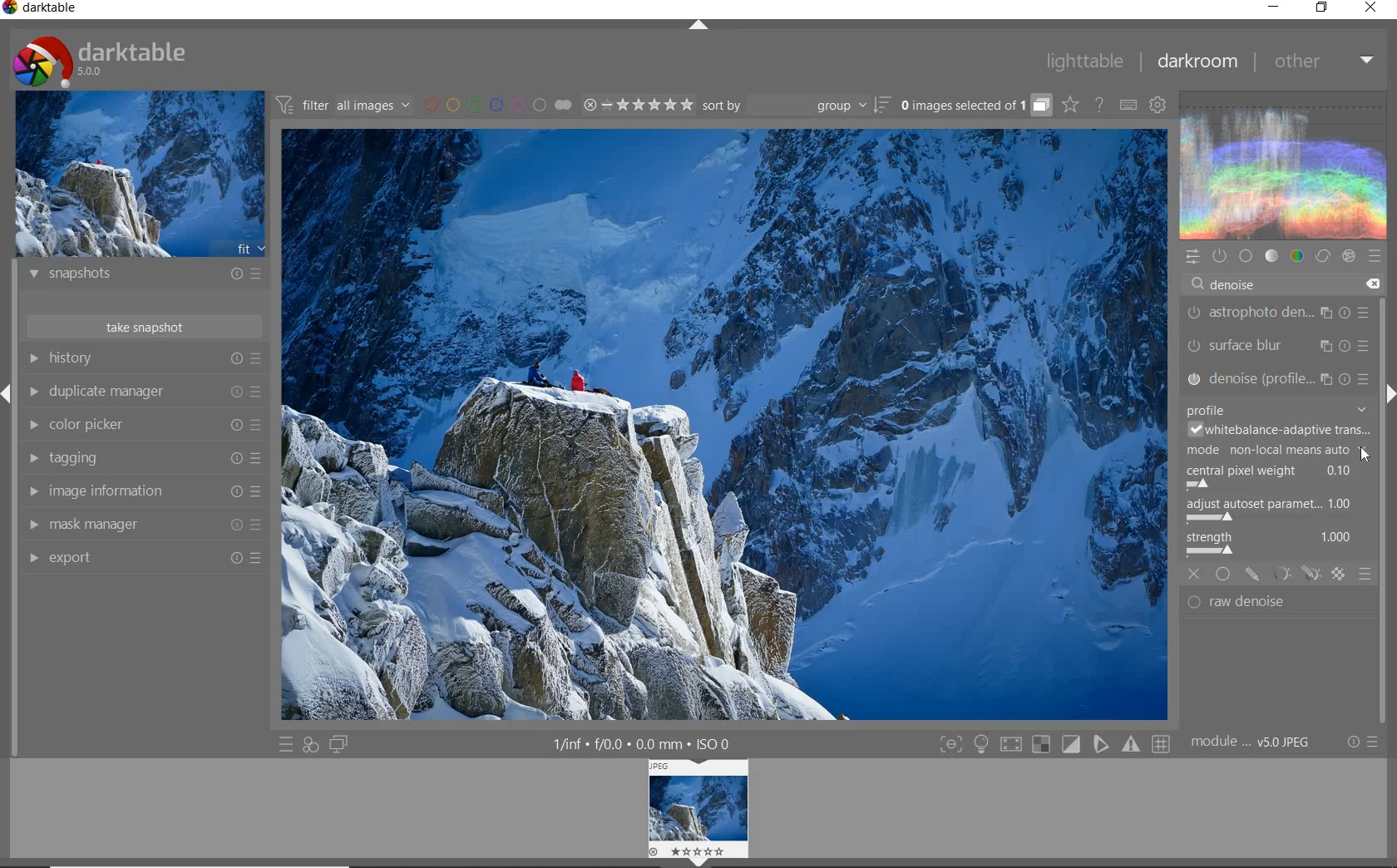 The image size is (1397, 868). Describe the element at coordinates (1128, 105) in the screenshot. I see `set keyboard shortcuts` at that location.